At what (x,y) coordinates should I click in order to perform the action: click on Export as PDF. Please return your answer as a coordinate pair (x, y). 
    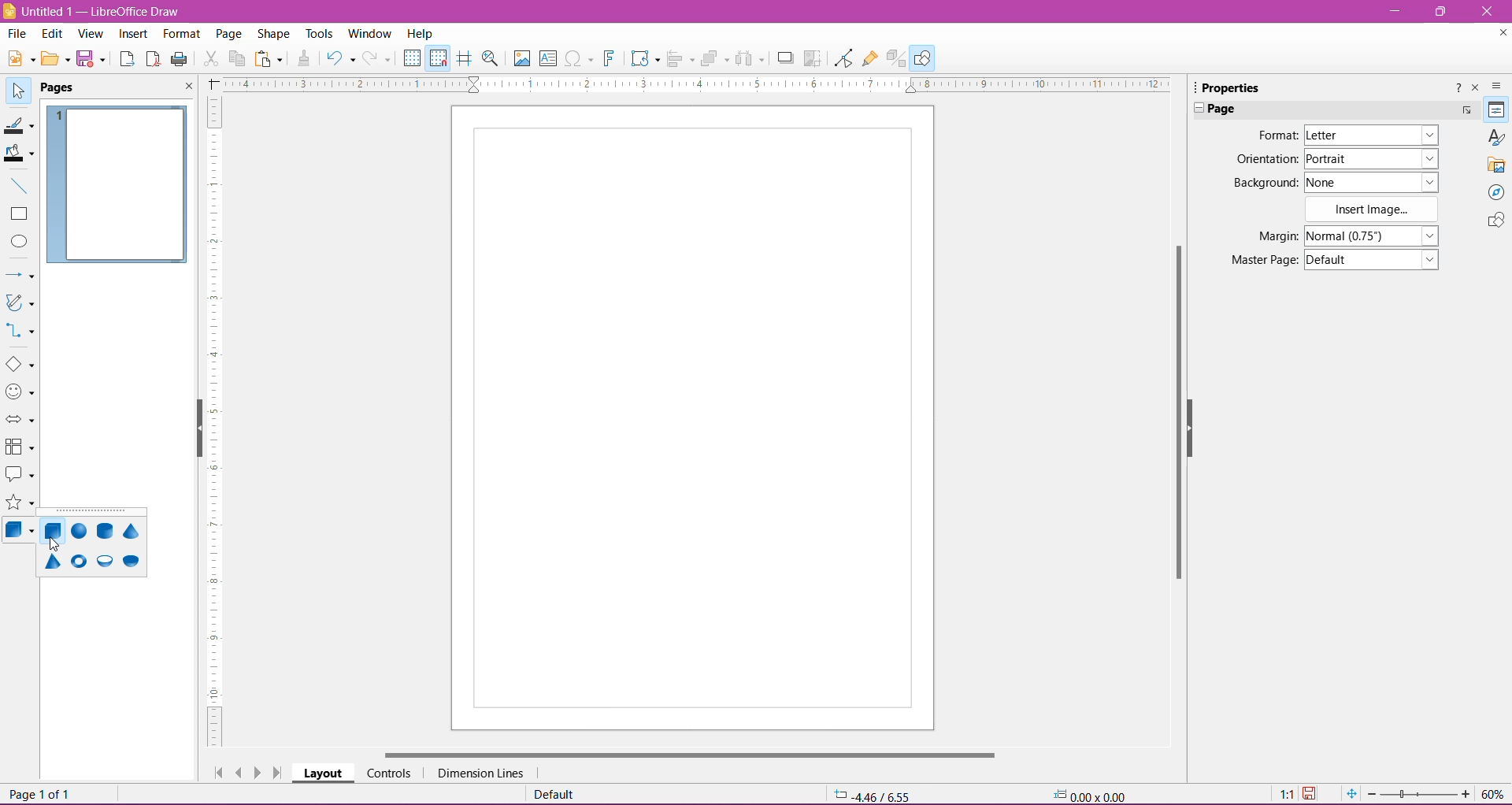
    Looking at the image, I should click on (153, 61).